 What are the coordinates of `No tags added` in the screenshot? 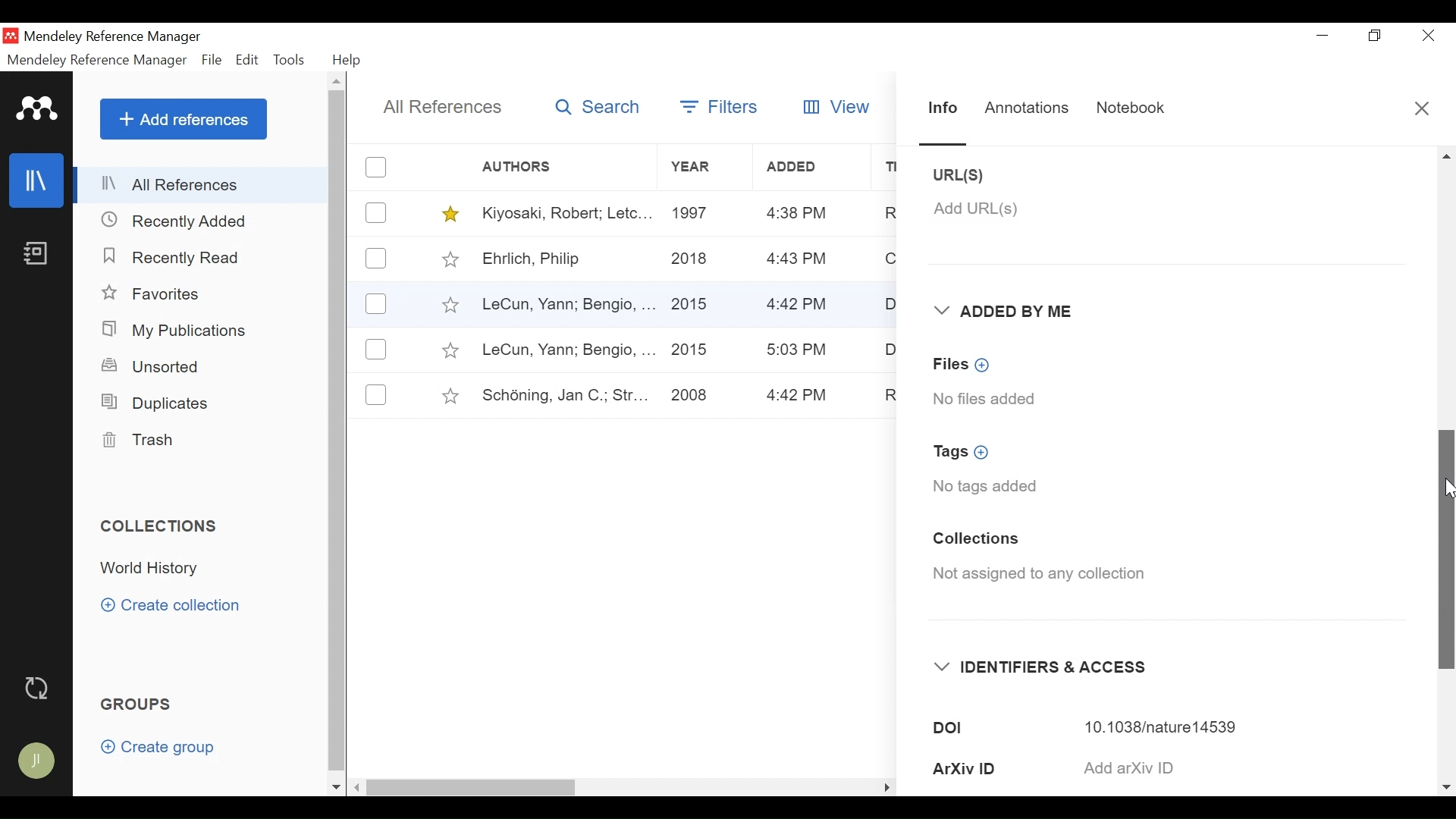 It's located at (986, 488).